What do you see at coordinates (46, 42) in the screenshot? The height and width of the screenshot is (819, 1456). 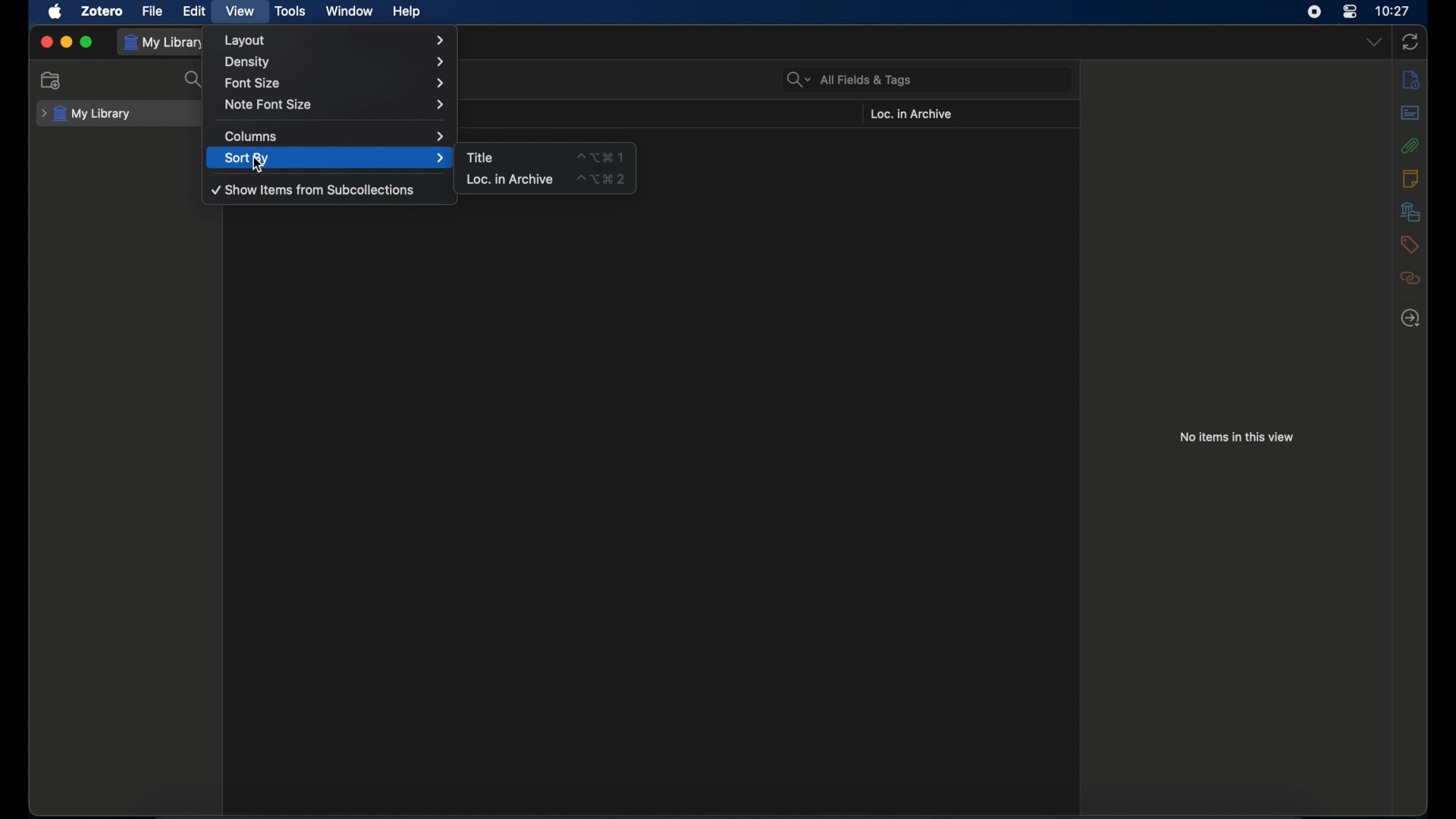 I see `close` at bounding box center [46, 42].